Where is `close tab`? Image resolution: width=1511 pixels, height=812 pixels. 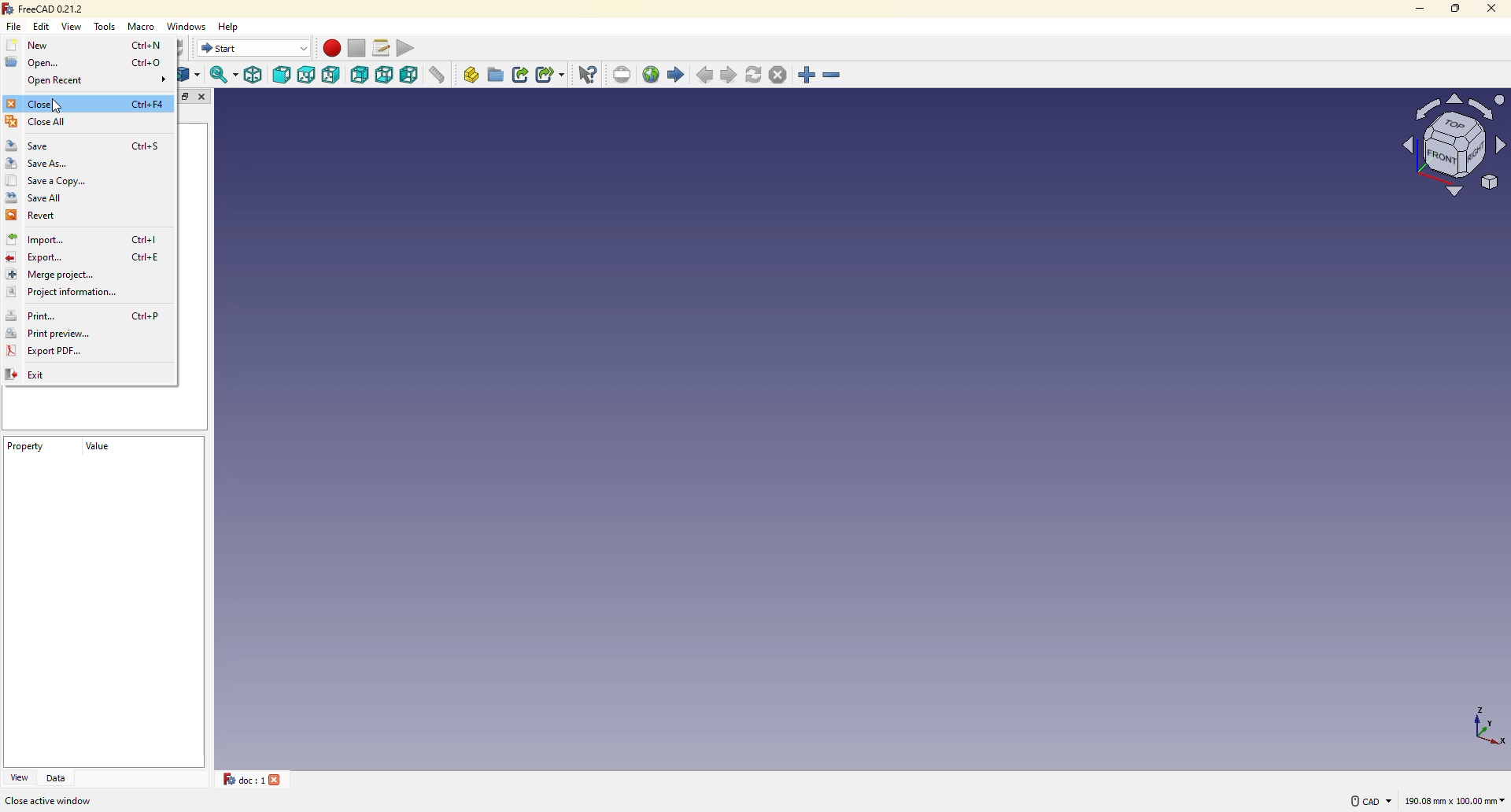 close tab is located at coordinates (279, 779).